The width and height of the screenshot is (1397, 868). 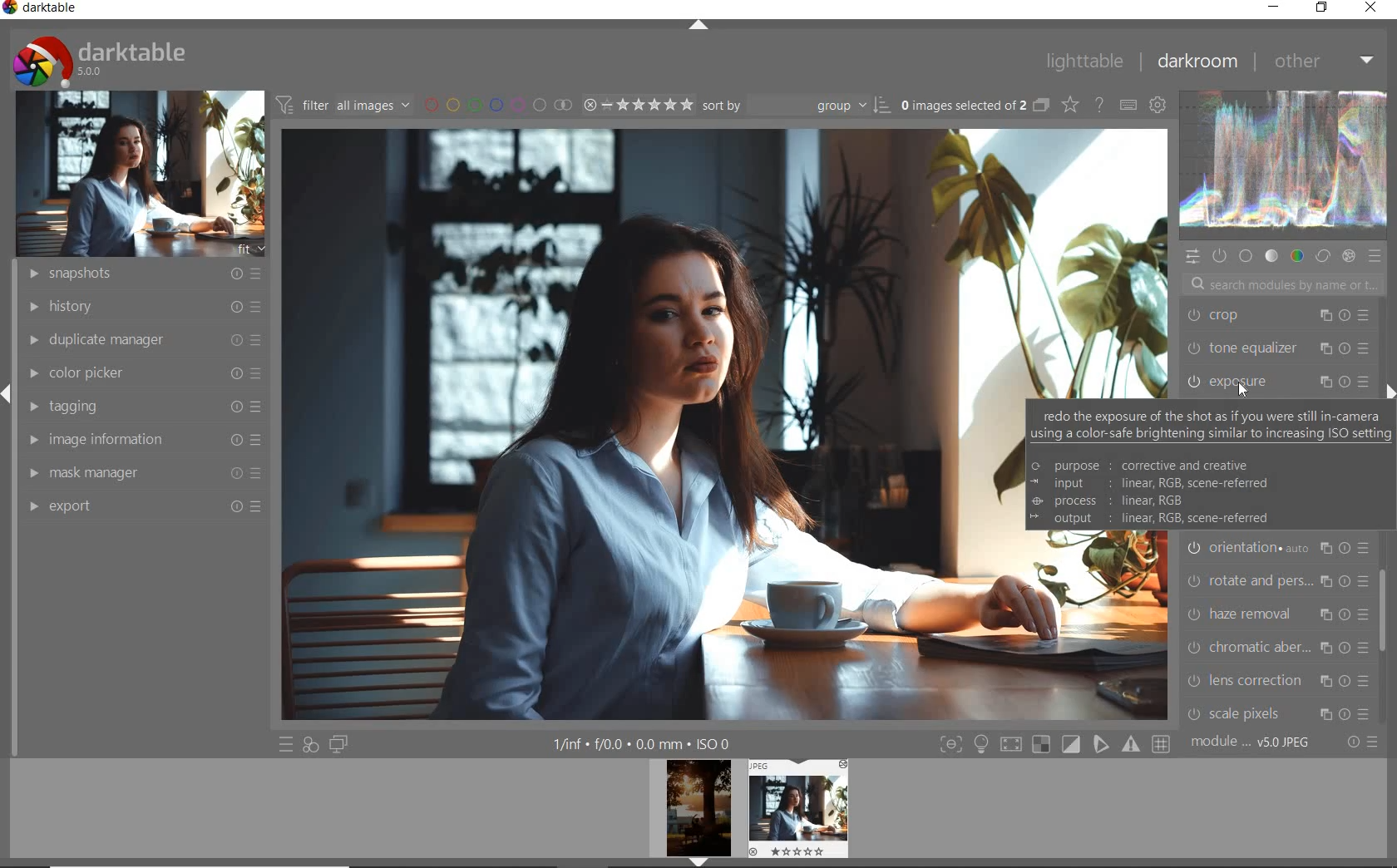 I want to click on SCALE PIXELS, so click(x=1286, y=712).